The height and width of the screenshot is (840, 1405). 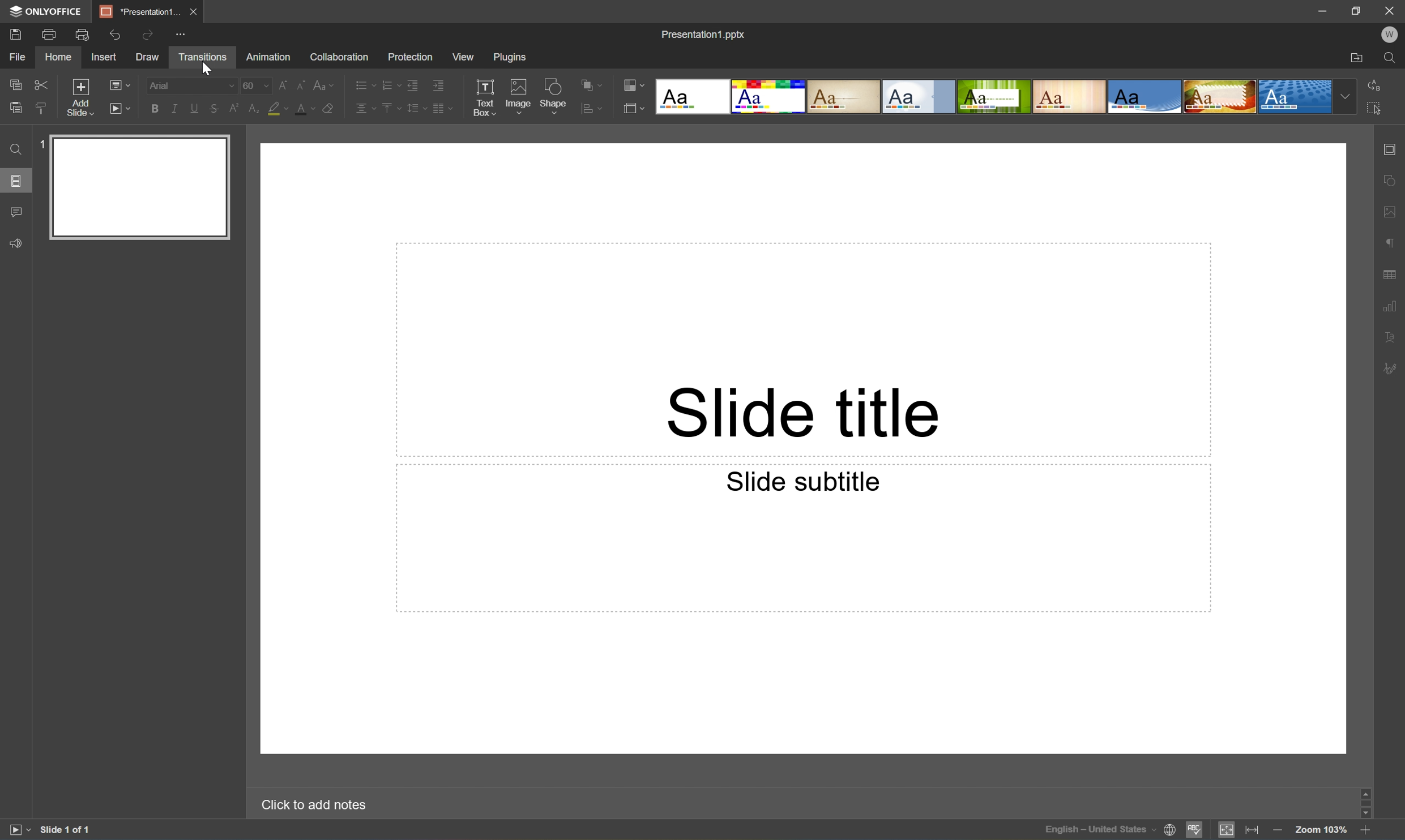 What do you see at coordinates (635, 85) in the screenshot?
I see `Change color theme` at bounding box center [635, 85].